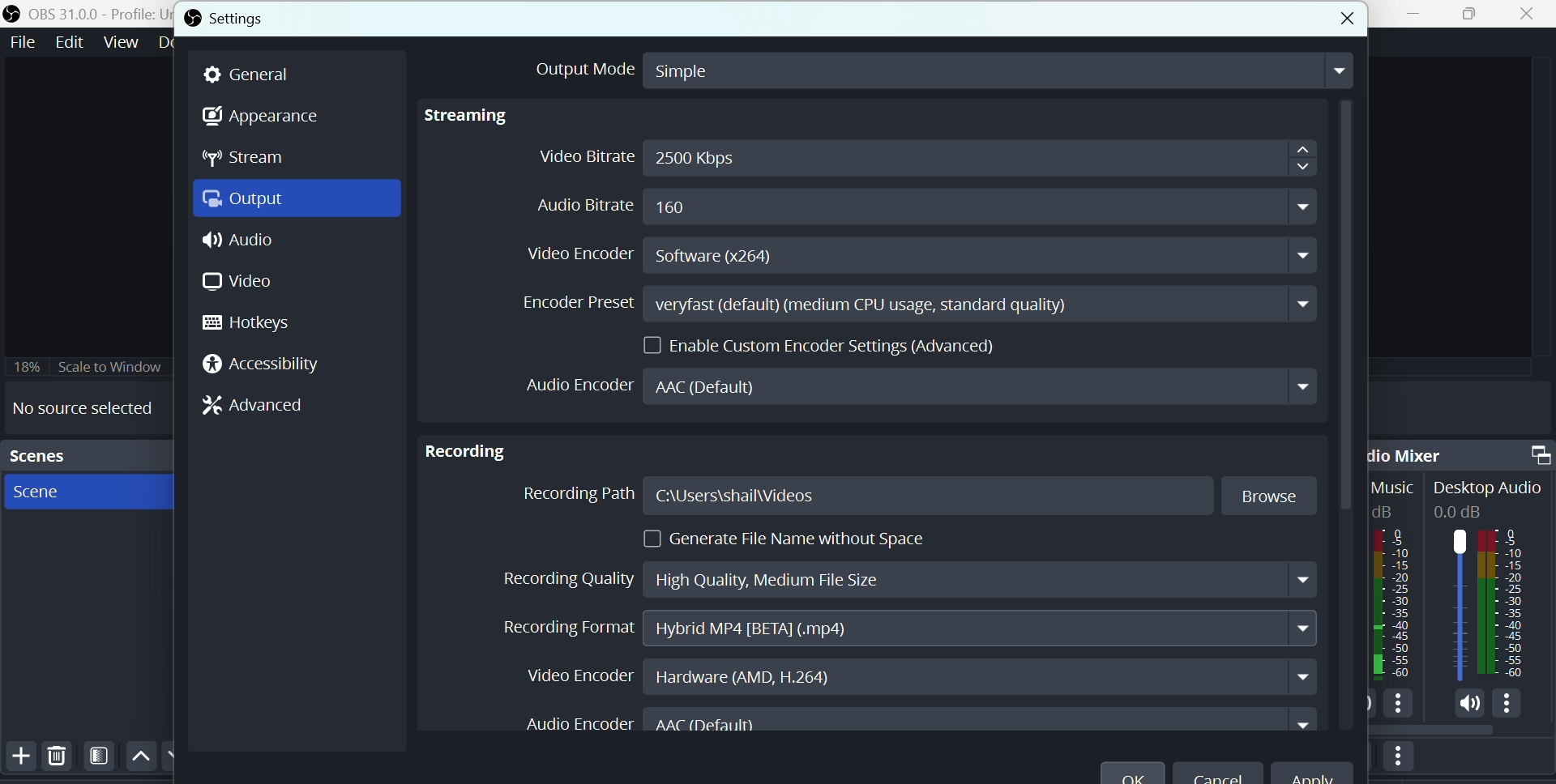 The height and width of the screenshot is (784, 1556). What do you see at coordinates (1270, 494) in the screenshot?
I see `Browse` at bounding box center [1270, 494].